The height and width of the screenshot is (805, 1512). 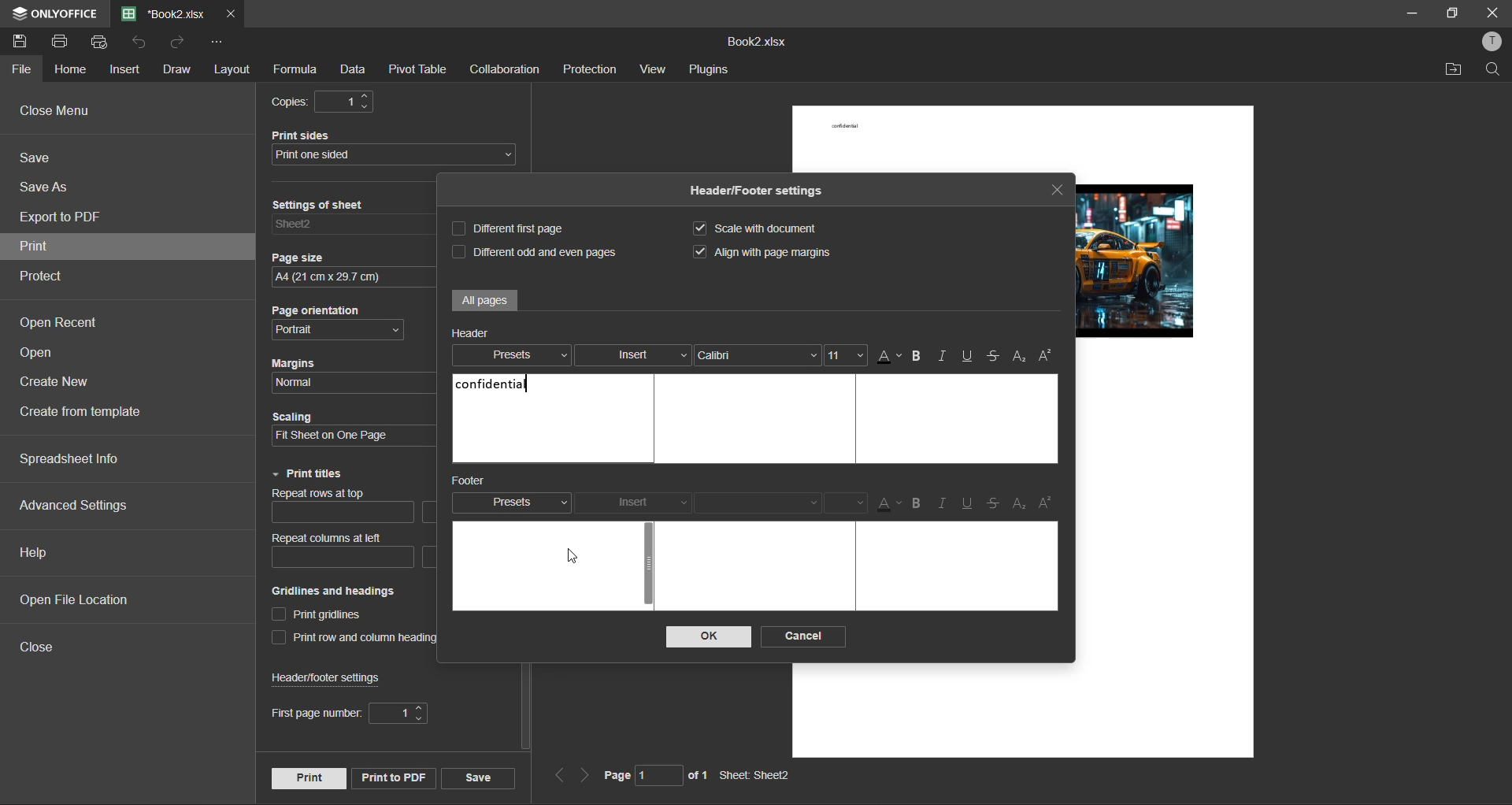 What do you see at coordinates (183, 43) in the screenshot?
I see `redo` at bounding box center [183, 43].